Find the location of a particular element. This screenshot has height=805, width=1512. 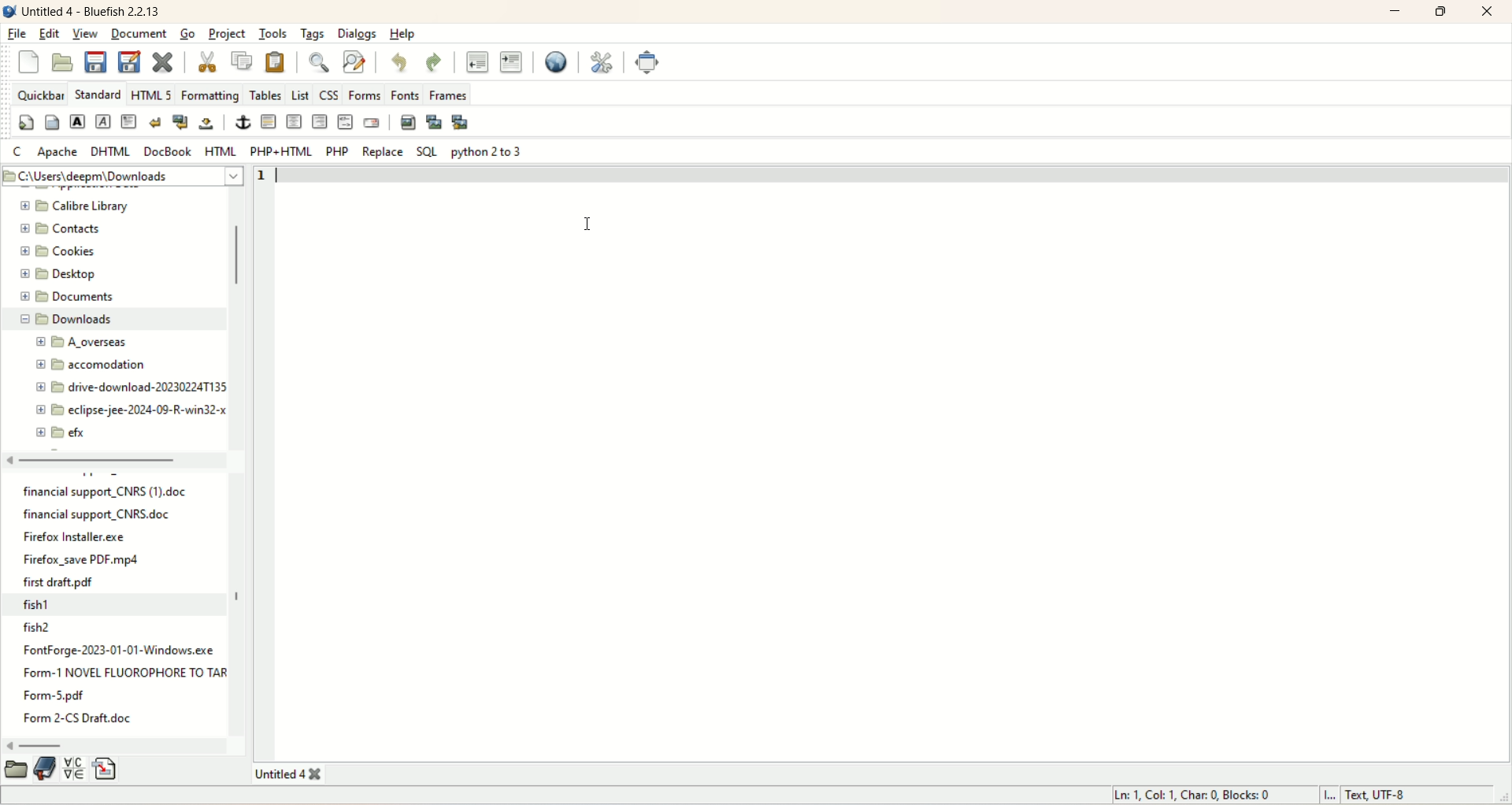

text is located at coordinates (107, 536).